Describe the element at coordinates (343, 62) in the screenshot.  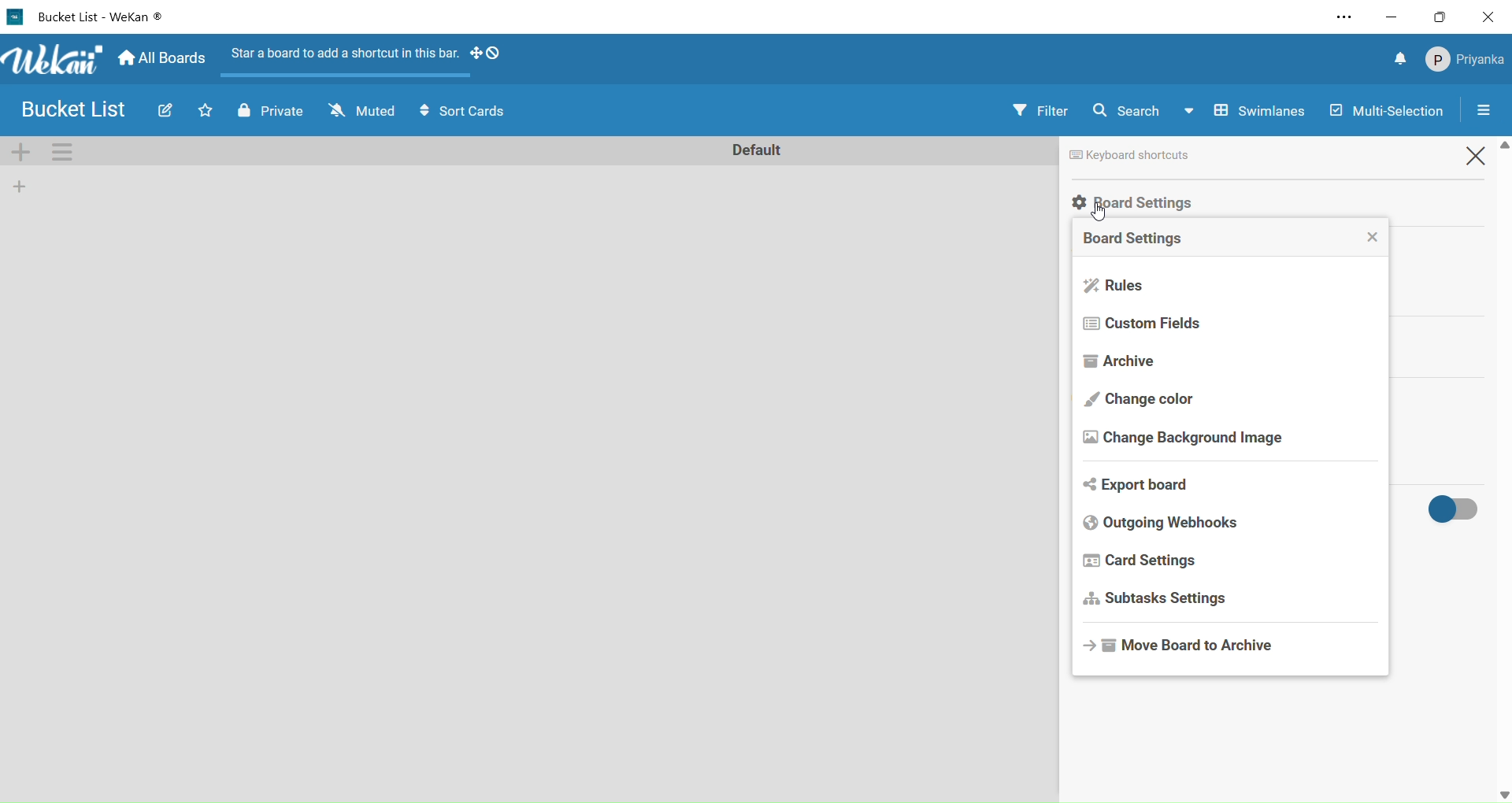
I see `start a board to add a shortcut in this bar.` at that location.